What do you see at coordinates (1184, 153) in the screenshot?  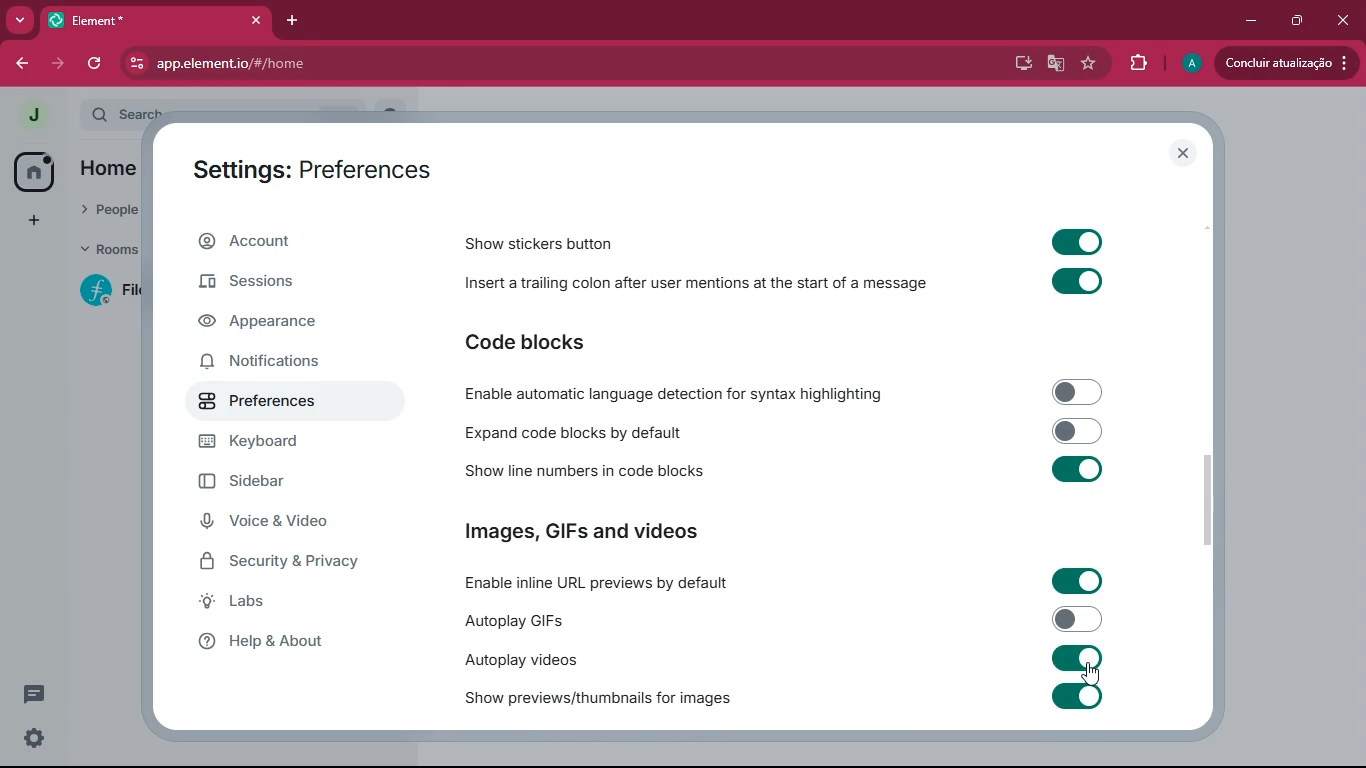 I see `close` at bounding box center [1184, 153].